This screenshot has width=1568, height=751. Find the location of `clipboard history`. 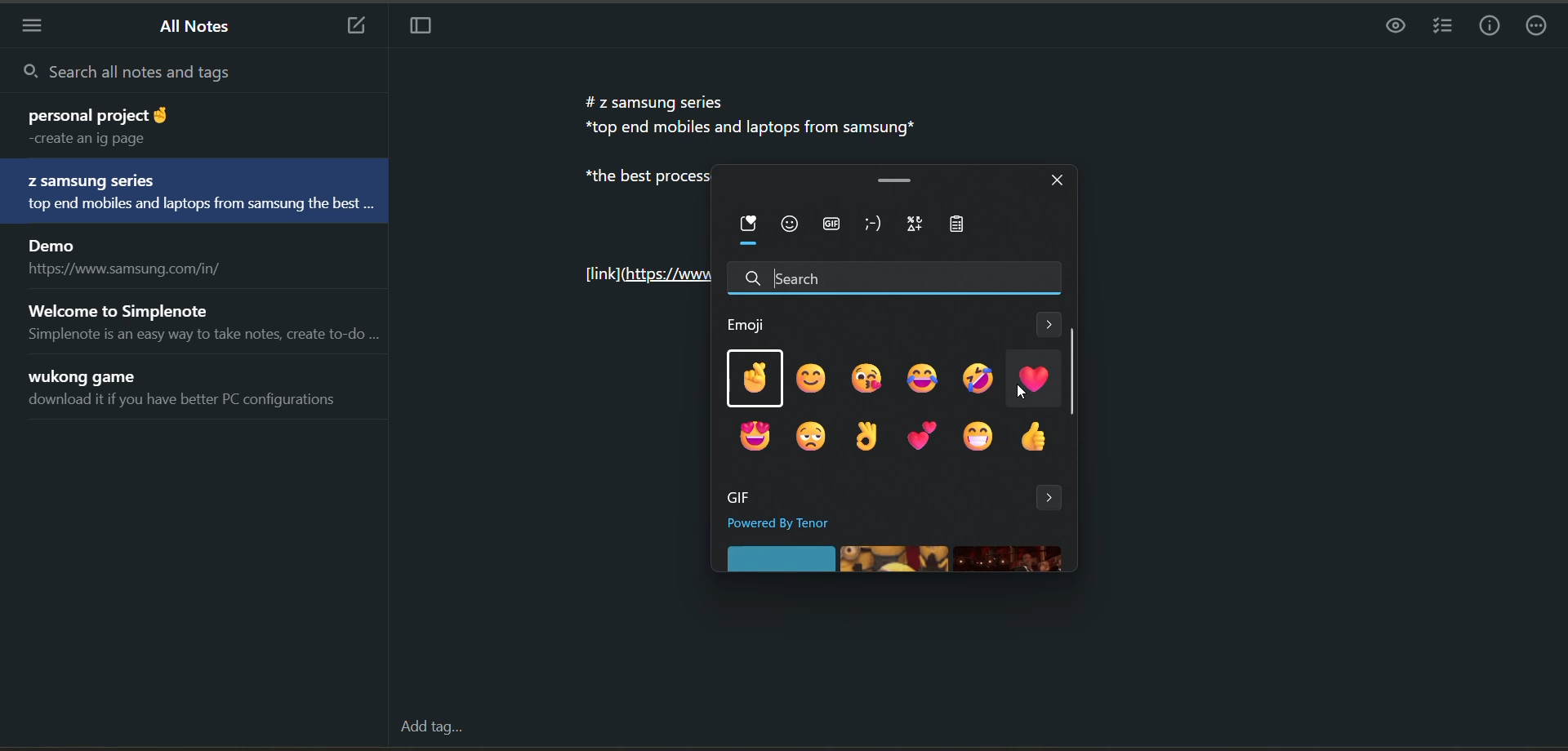

clipboard history is located at coordinates (968, 225).